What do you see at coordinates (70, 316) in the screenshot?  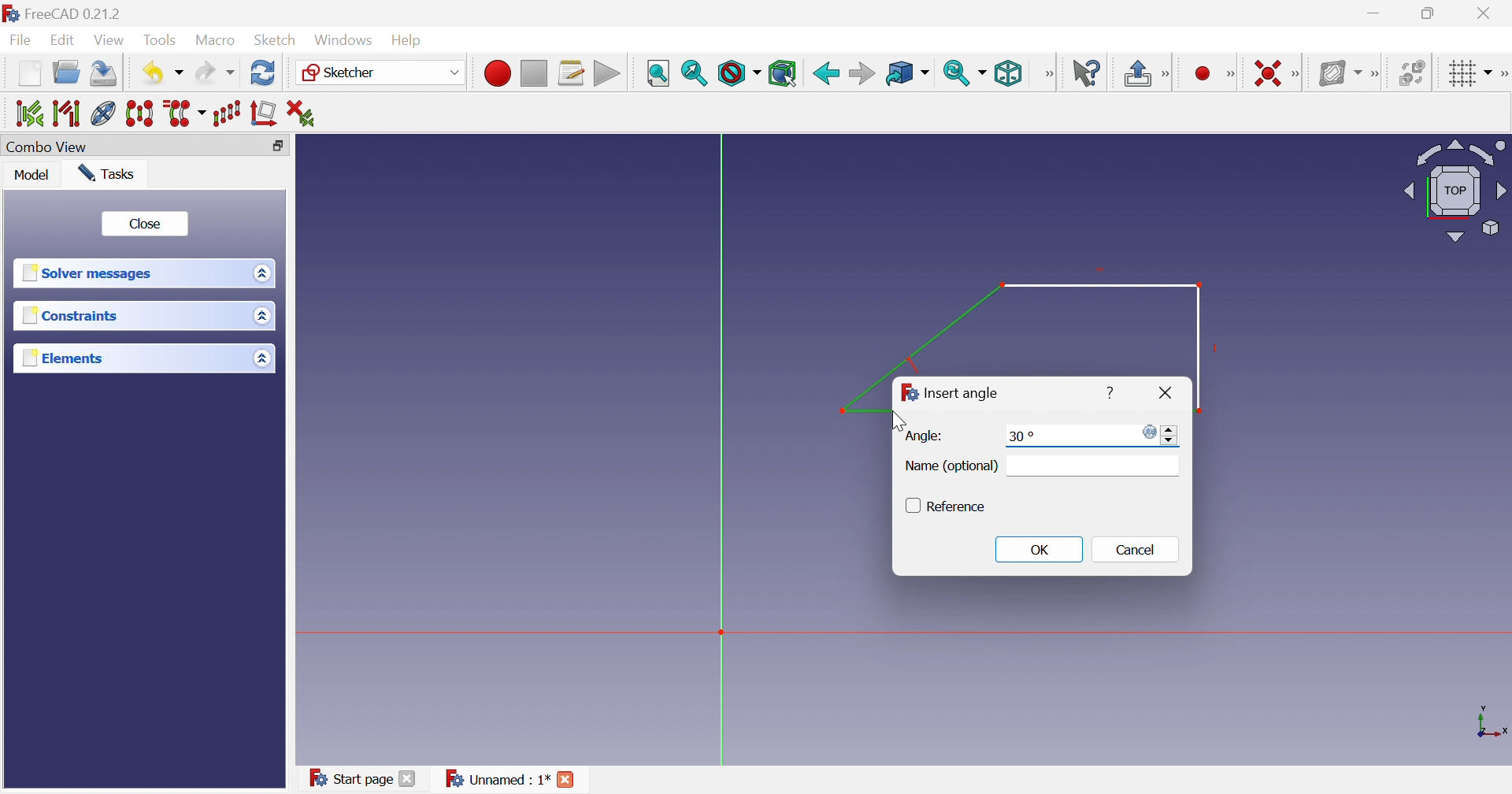 I see `Constraints` at bounding box center [70, 316].